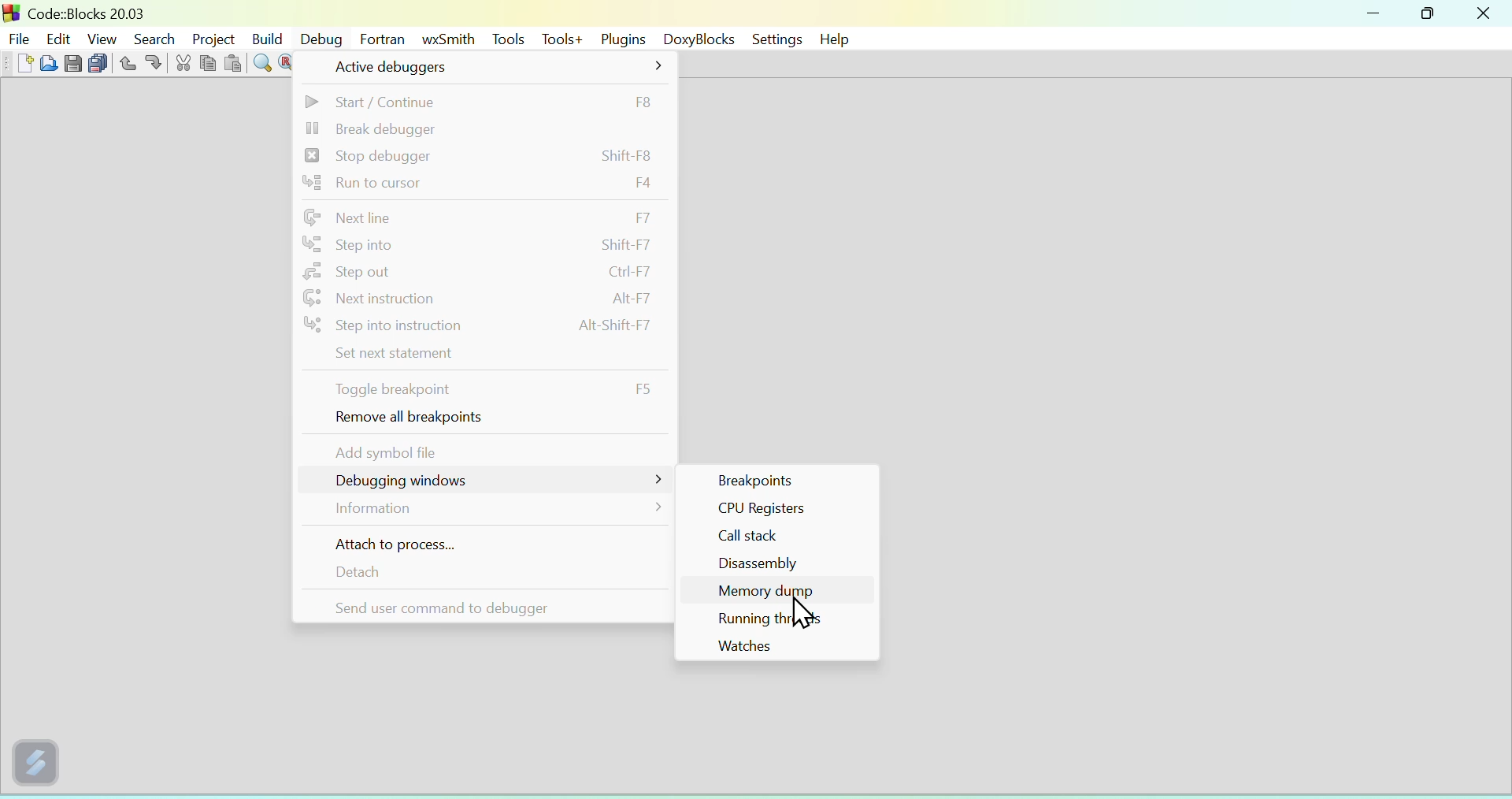  Describe the element at coordinates (480, 327) in the screenshot. I see `step into instruction` at that location.